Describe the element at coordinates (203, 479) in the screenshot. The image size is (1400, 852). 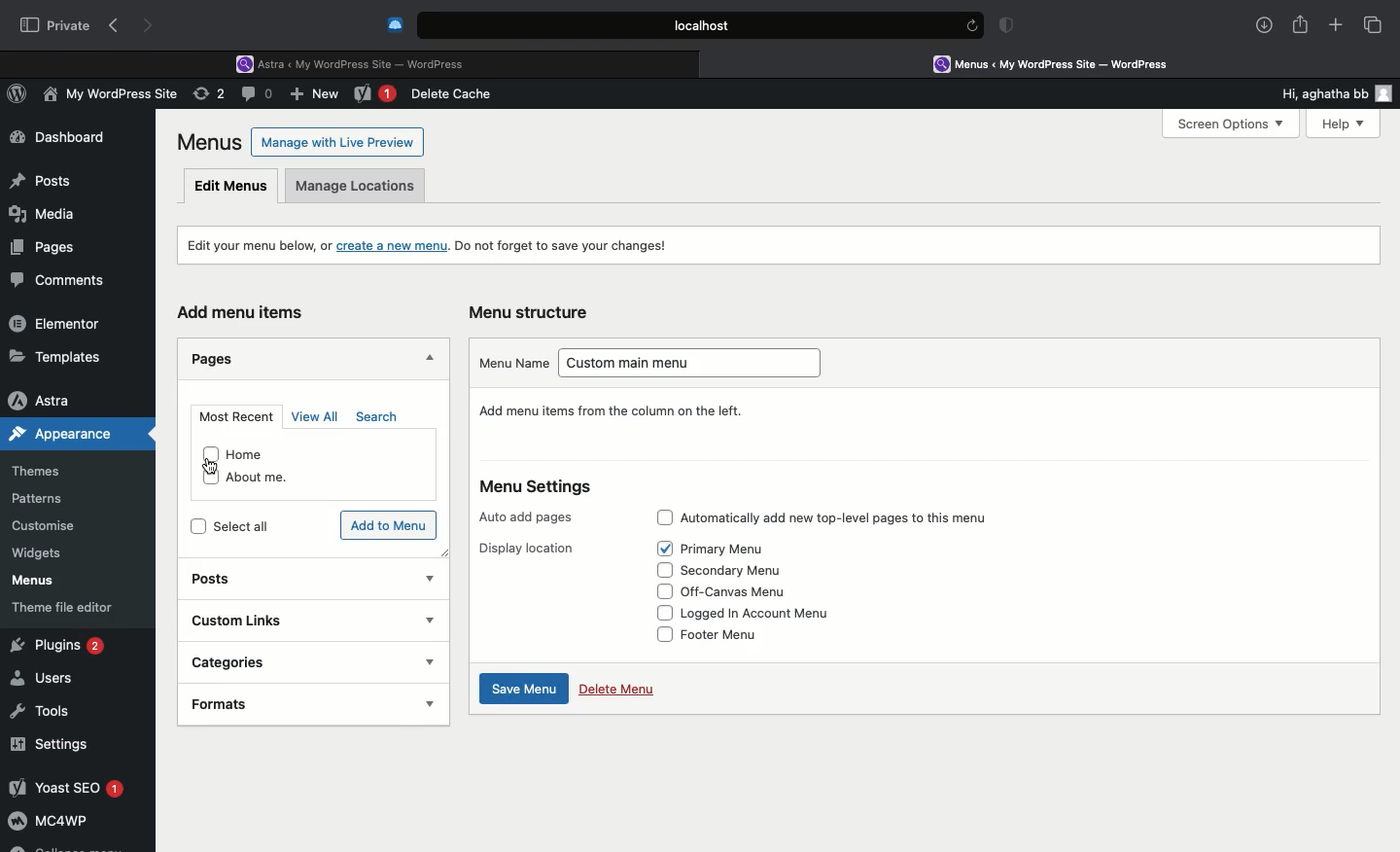
I see `checkbox` at that location.